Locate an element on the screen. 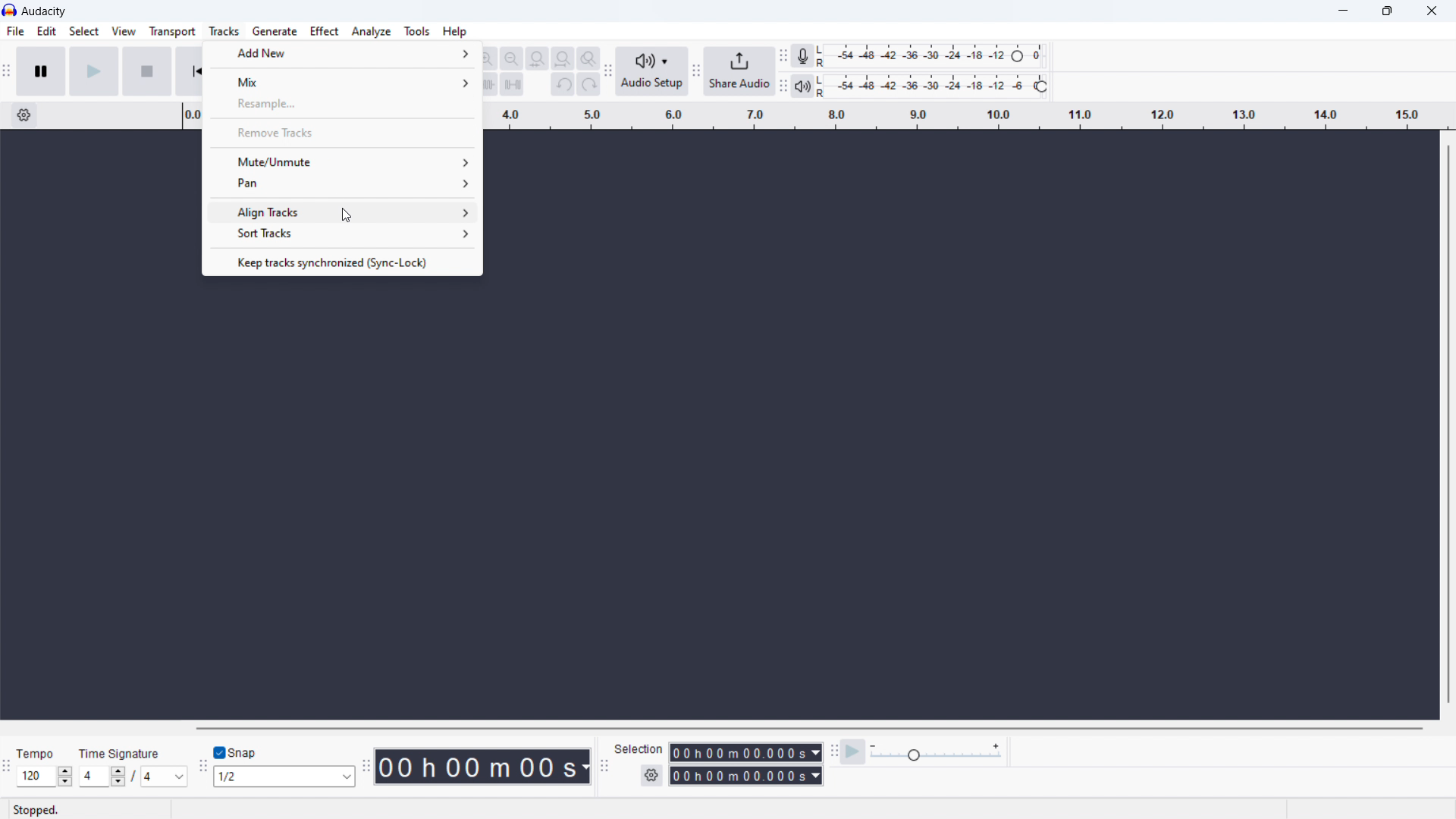  align tracks is located at coordinates (340, 210).